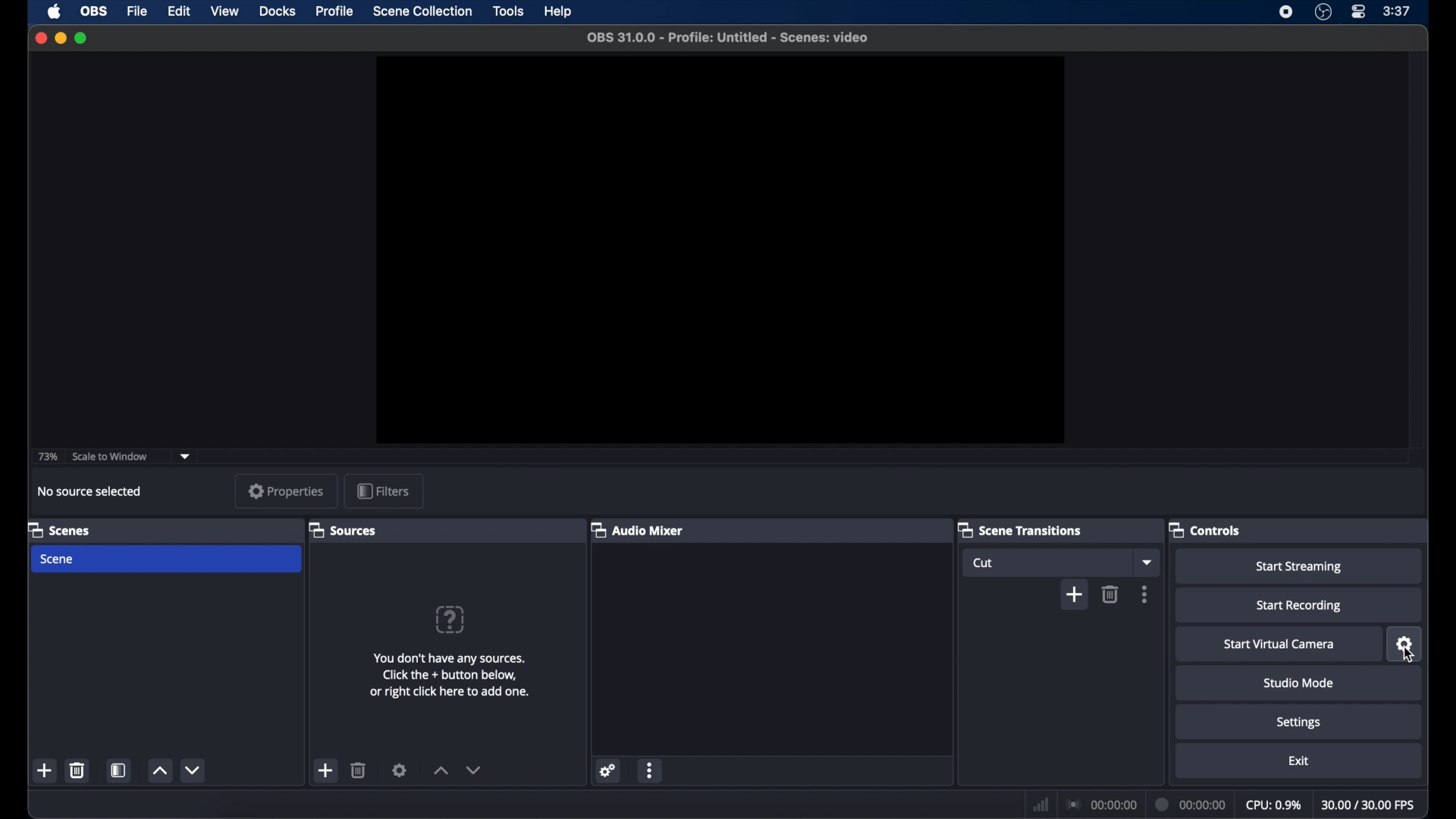 The height and width of the screenshot is (819, 1456). Describe the element at coordinates (45, 771) in the screenshot. I see `add` at that location.